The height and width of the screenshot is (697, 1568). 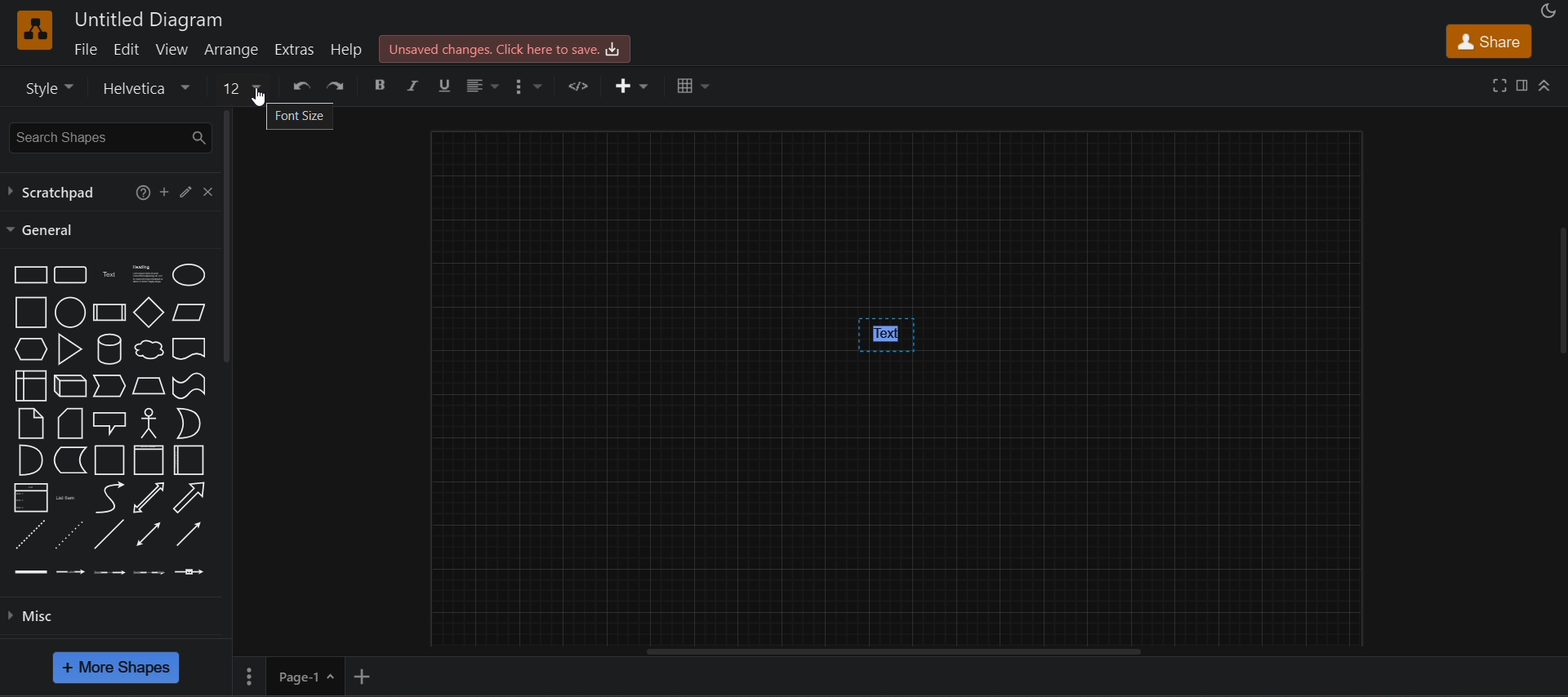 I want to click on Tape, so click(x=189, y=386).